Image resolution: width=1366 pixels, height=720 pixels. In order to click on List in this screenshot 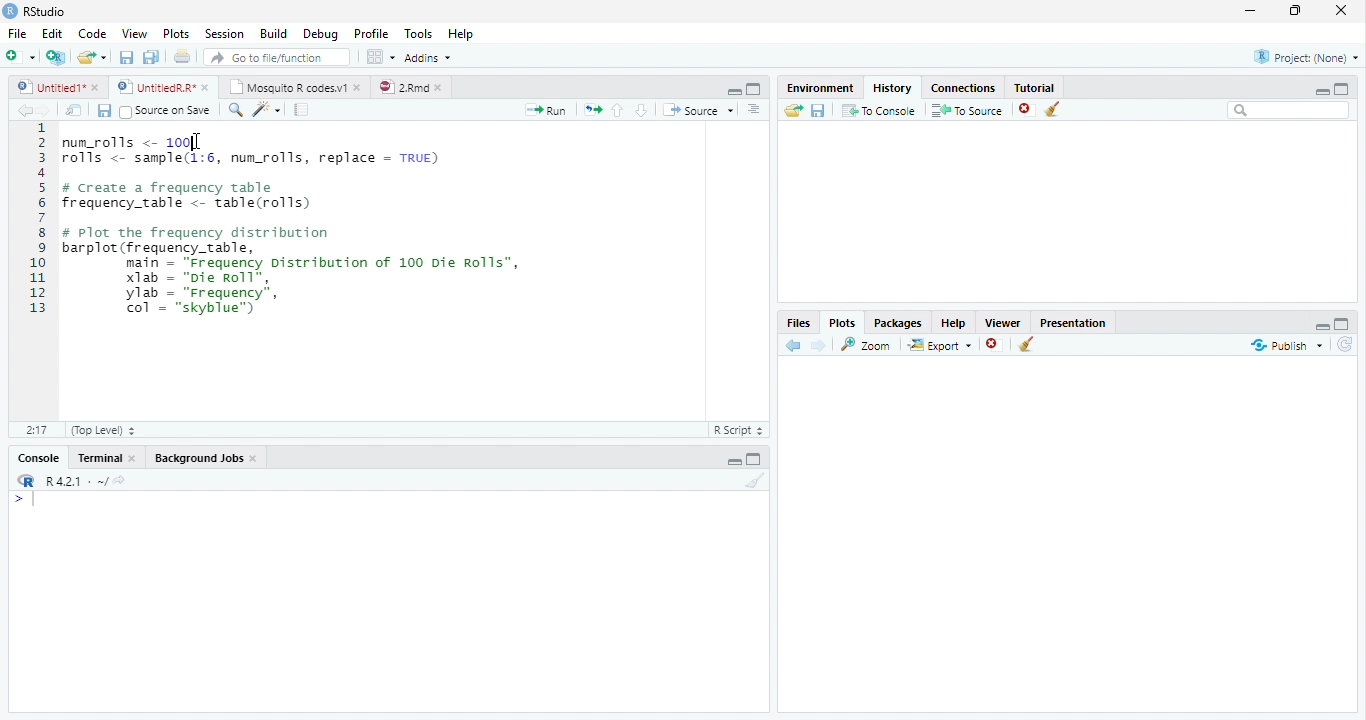, I will do `click(756, 111)`.